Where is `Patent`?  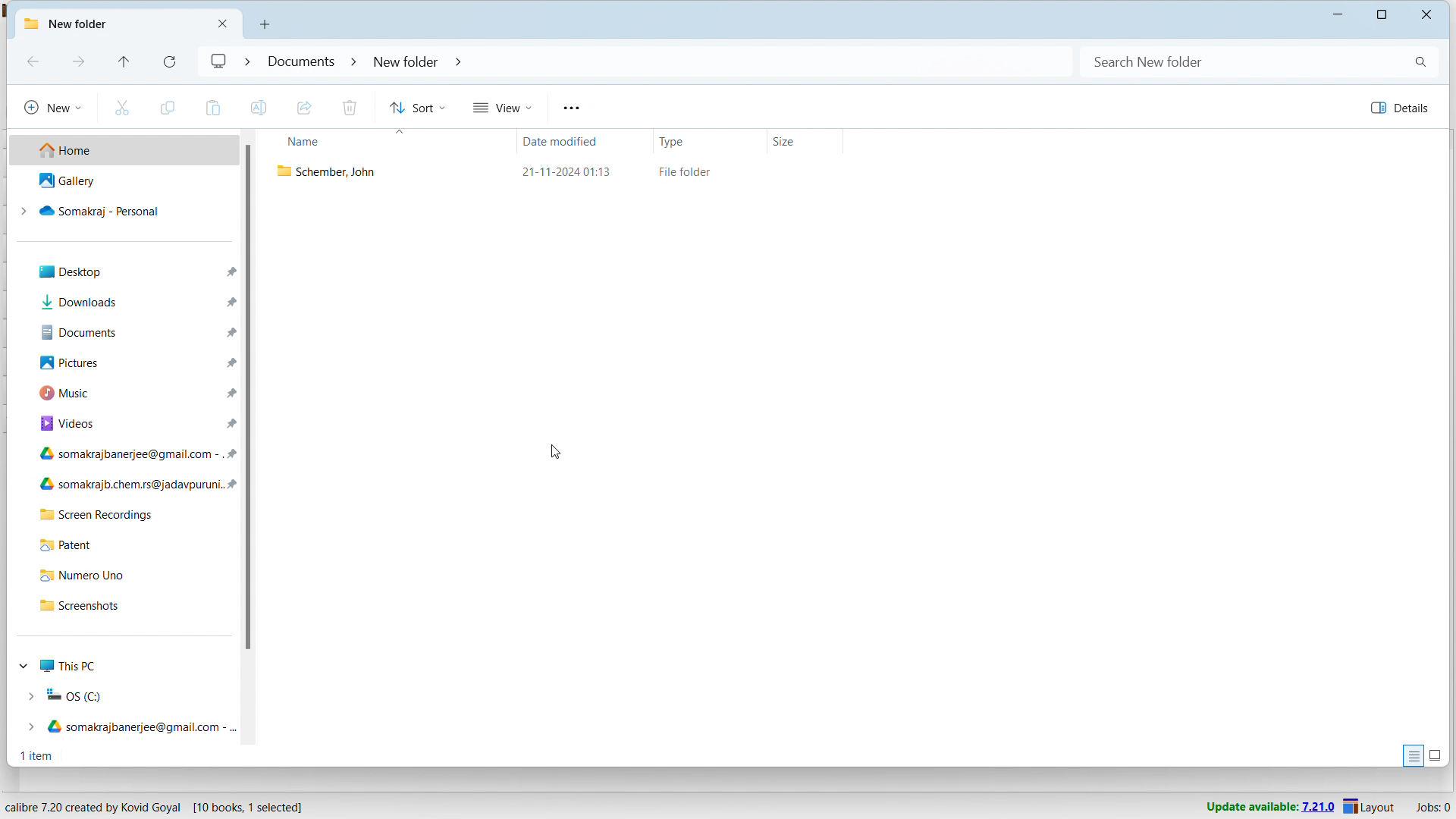 Patent is located at coordinates (74, 543).